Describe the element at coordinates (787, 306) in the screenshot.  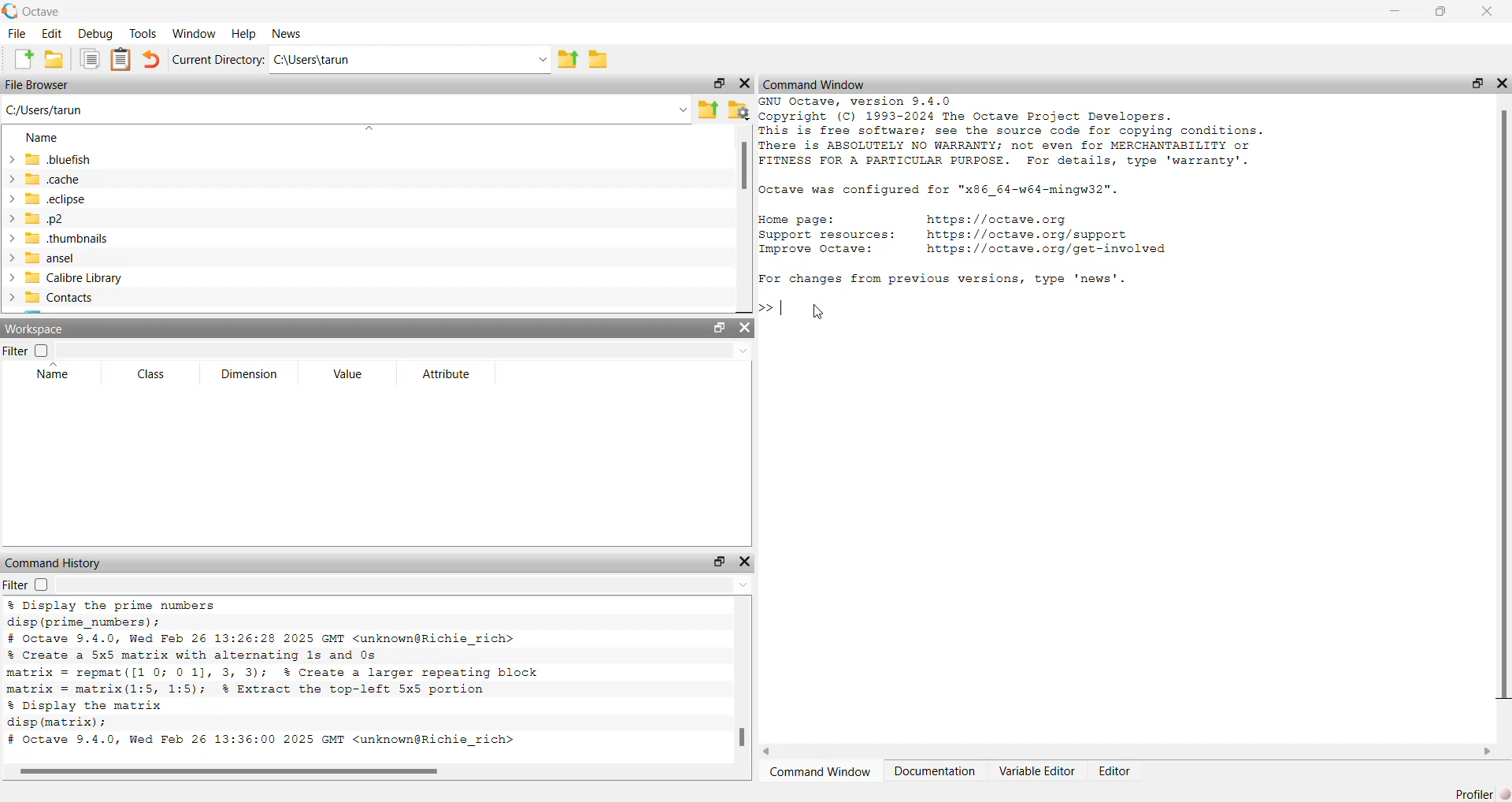
I see `typing cursor` at that location.